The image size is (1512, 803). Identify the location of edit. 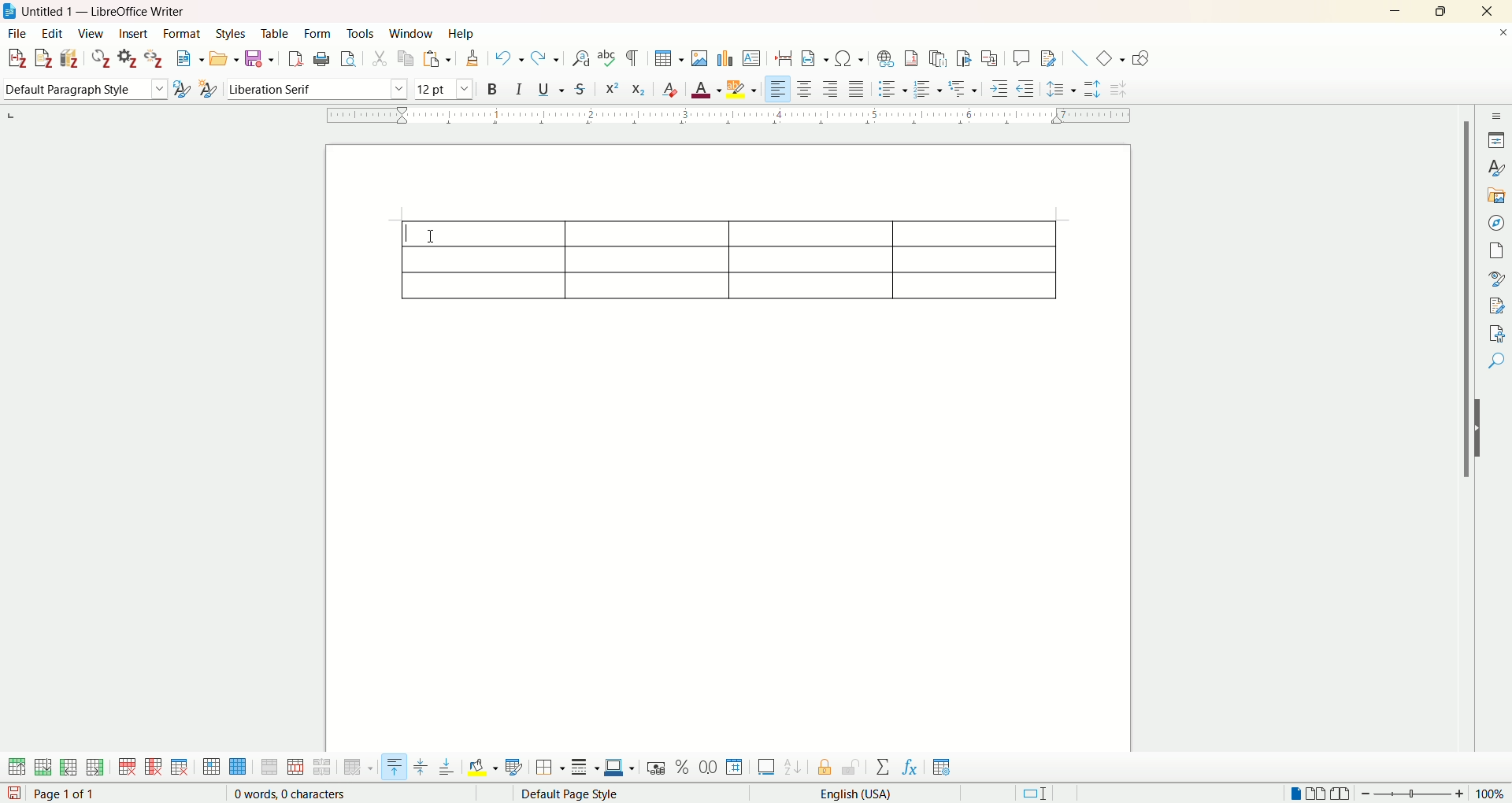
(54, 32).